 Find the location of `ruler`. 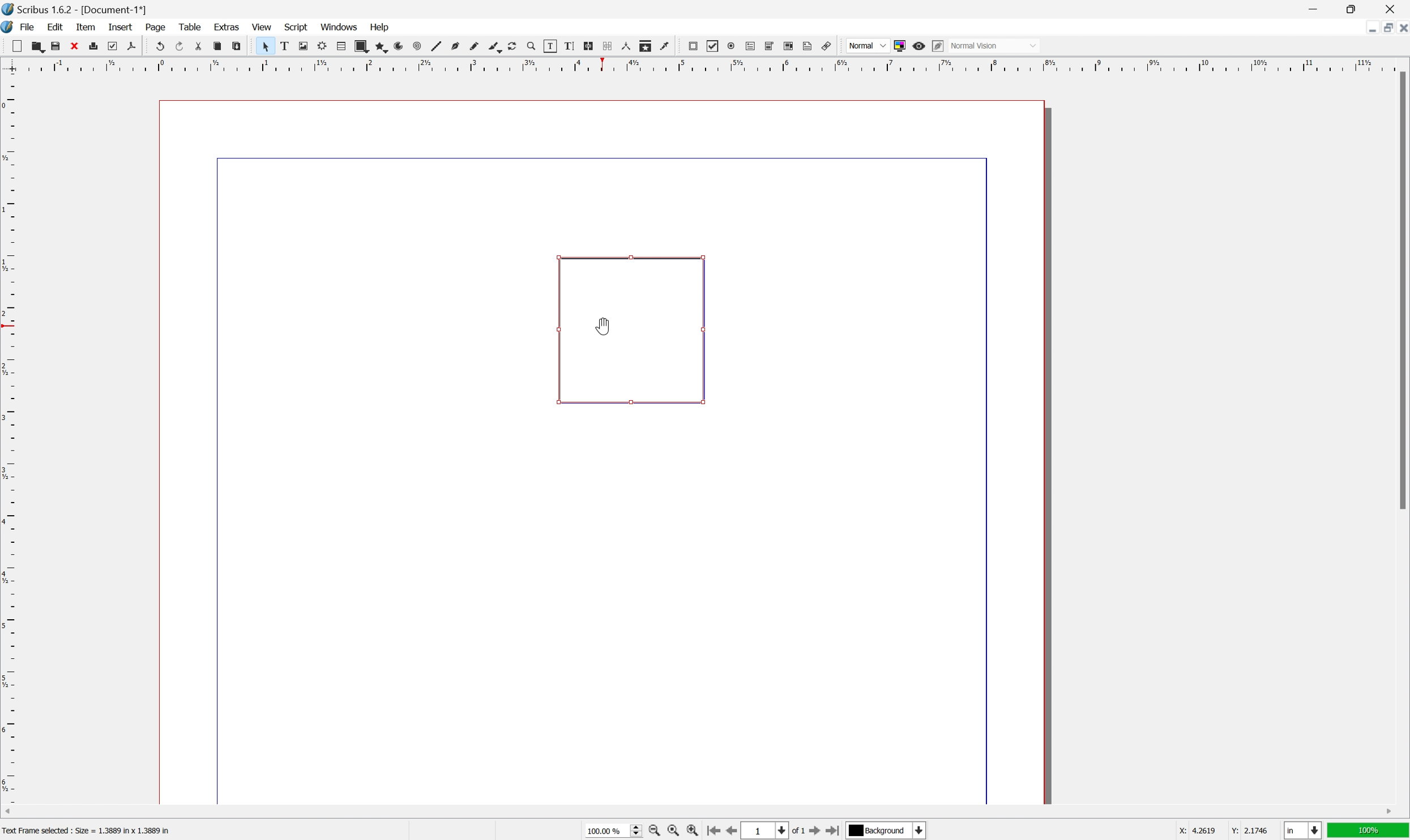

ruler is located at coordinates (703, 65).